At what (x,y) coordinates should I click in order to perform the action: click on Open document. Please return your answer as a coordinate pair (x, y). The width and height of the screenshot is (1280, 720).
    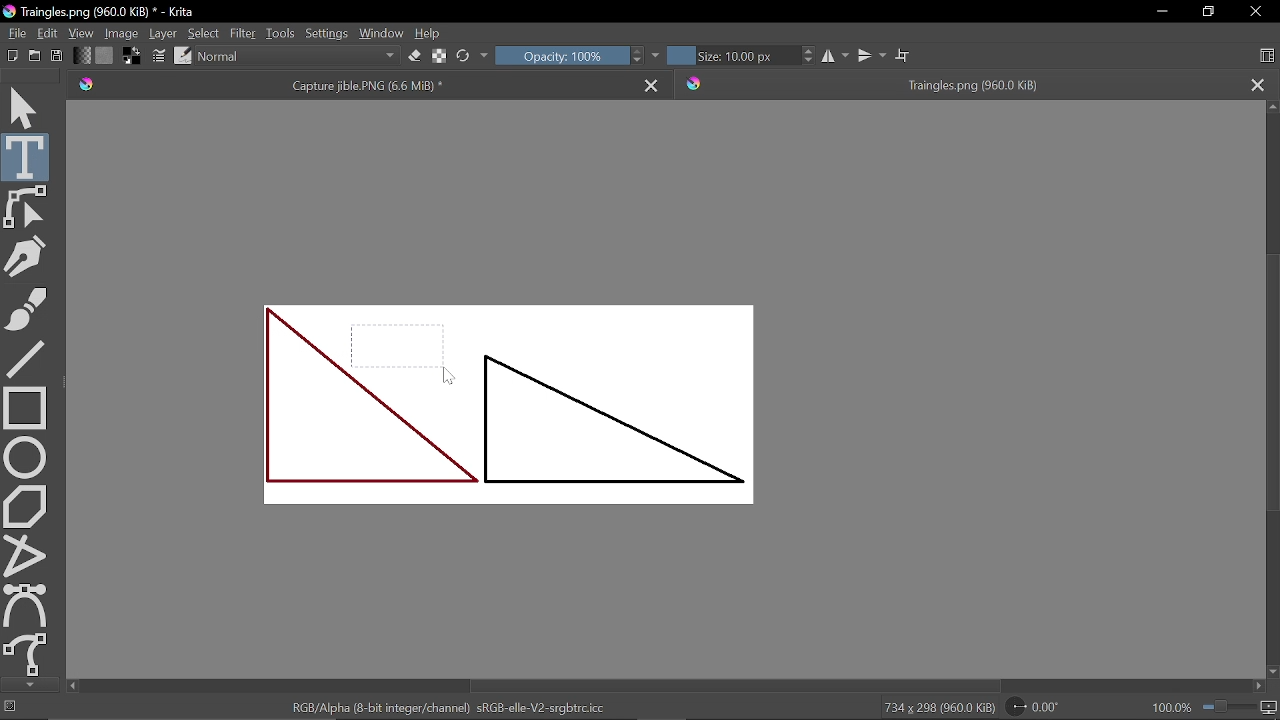
    Looking at the image, I should click on (34, 58).